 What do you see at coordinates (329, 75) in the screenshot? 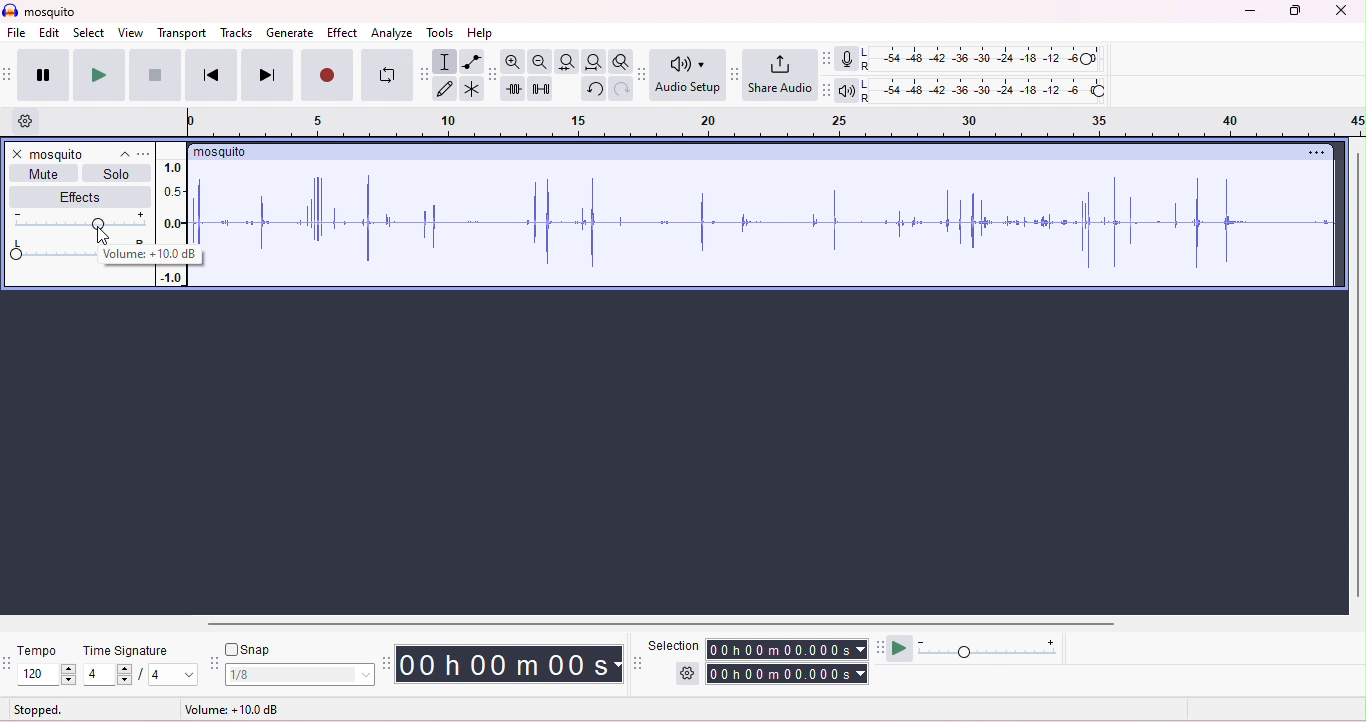
I see `record` at bounding box center [329, 75].